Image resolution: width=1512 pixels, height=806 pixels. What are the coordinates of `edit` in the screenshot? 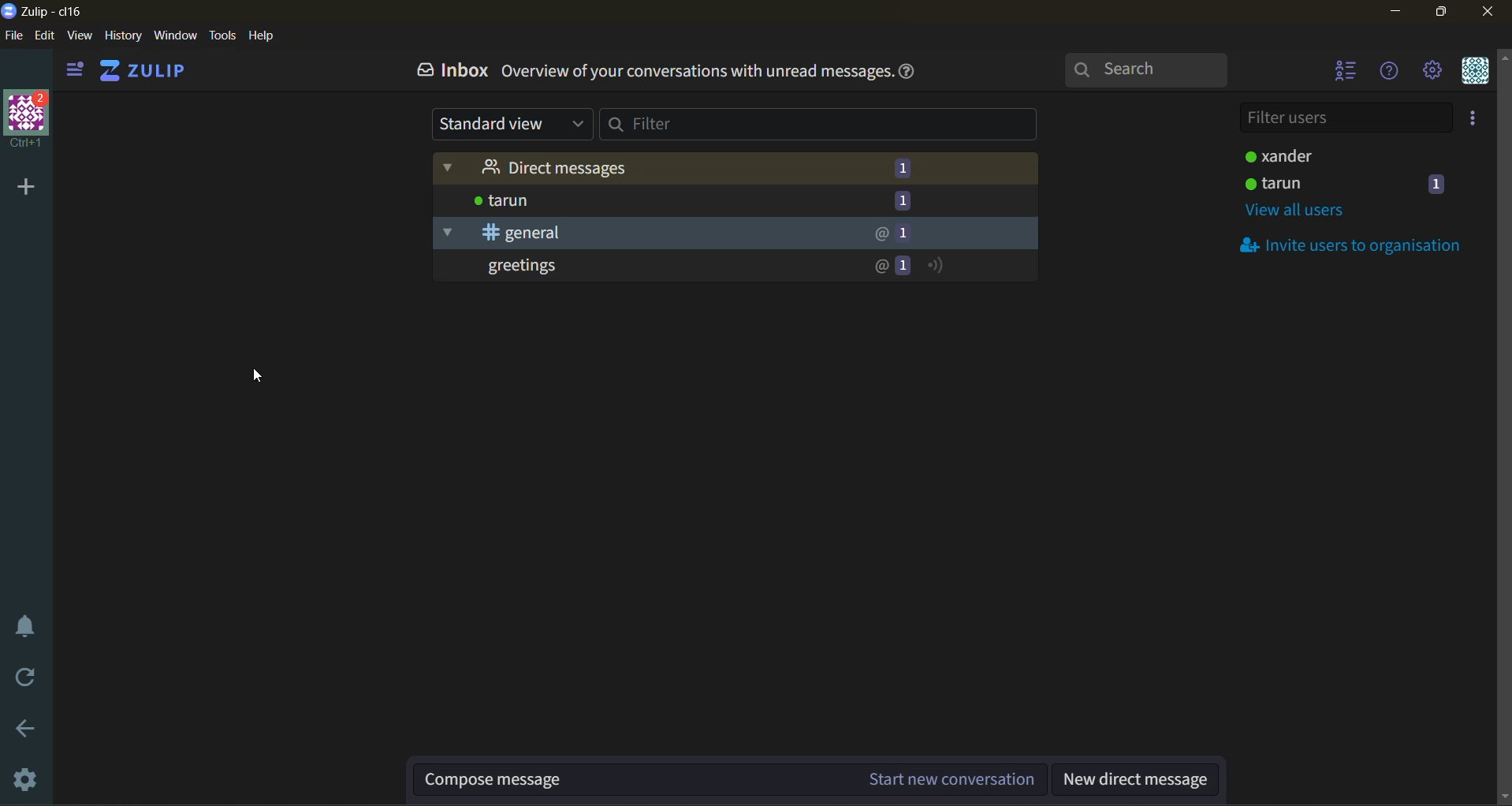 It's located at (45, 36).